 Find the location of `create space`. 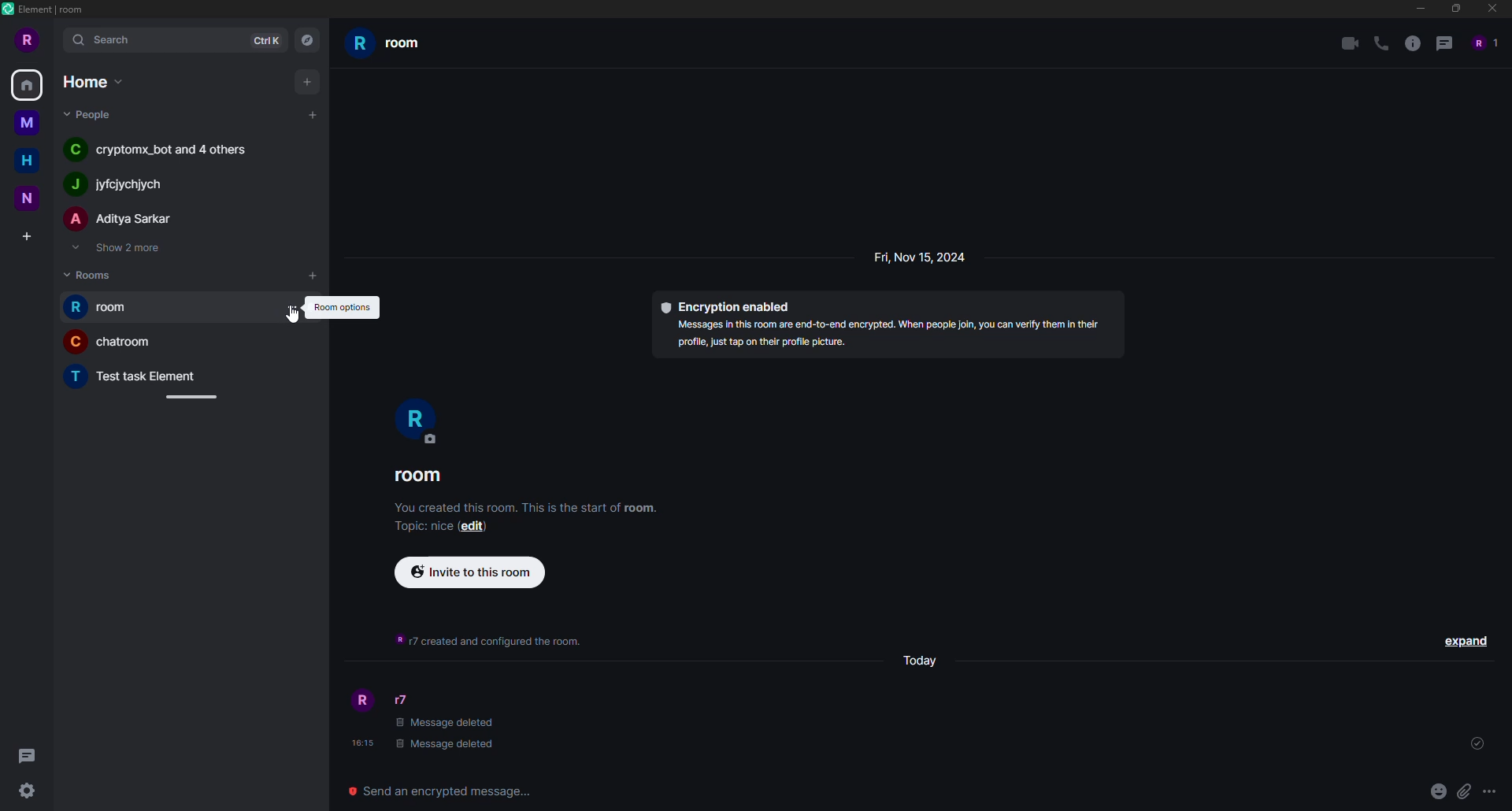

create space is located at coordinates (26, 233).